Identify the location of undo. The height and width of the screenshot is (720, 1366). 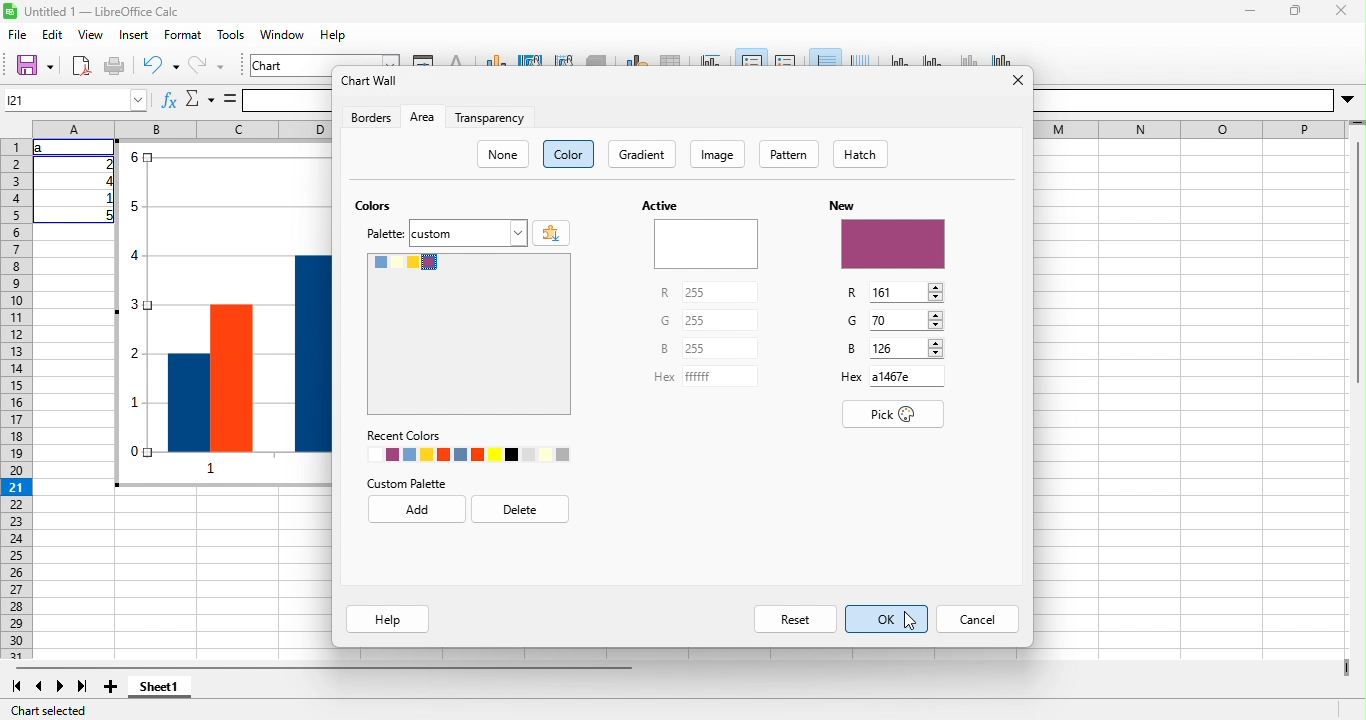
(161, 66).